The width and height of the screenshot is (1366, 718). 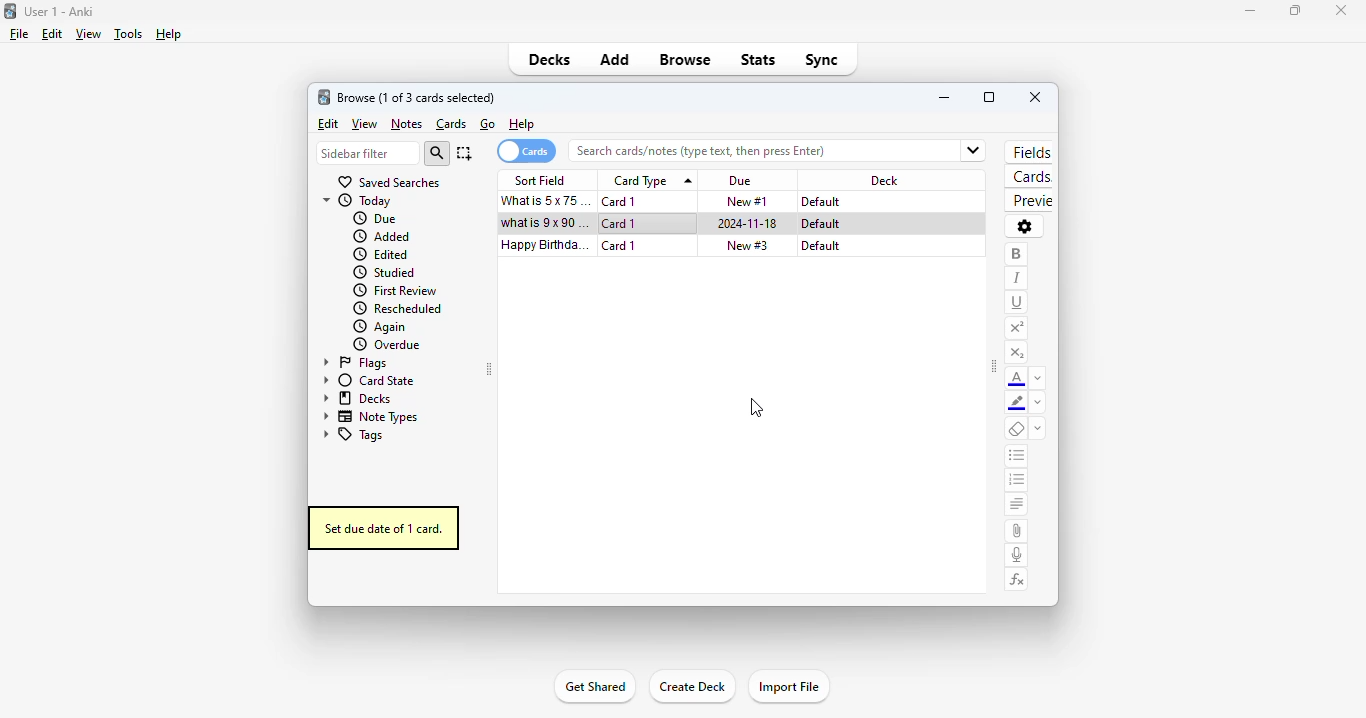 What do you see at coordinates (550, 59) in the screenshot?
I see `decks` at bounding box center [550, 59].